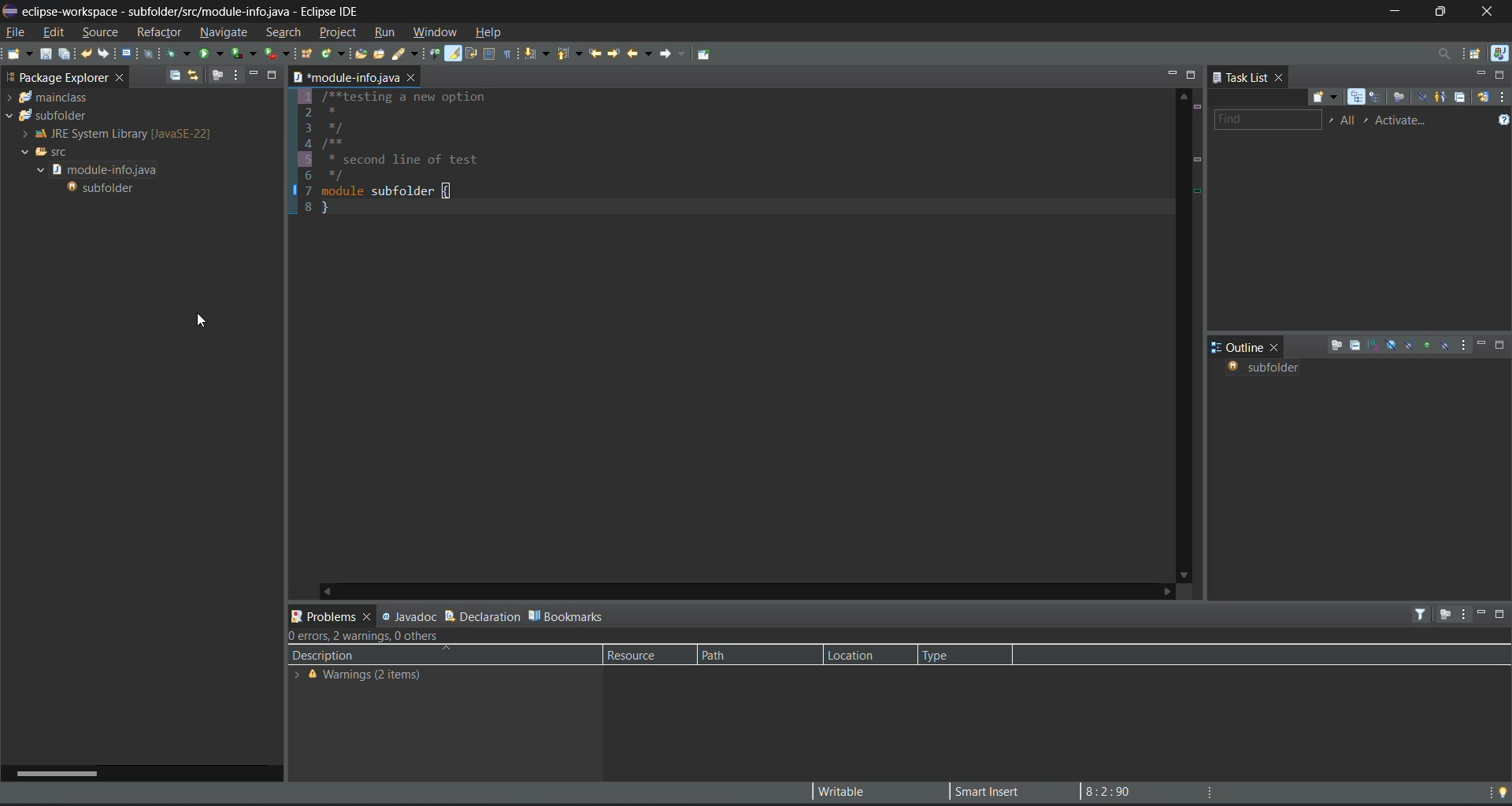 This screenshot has width=1512, height=806. Describe the element at coordinates (489, 54) in the screenshot. I see `toggle block selection mode ` at that location.